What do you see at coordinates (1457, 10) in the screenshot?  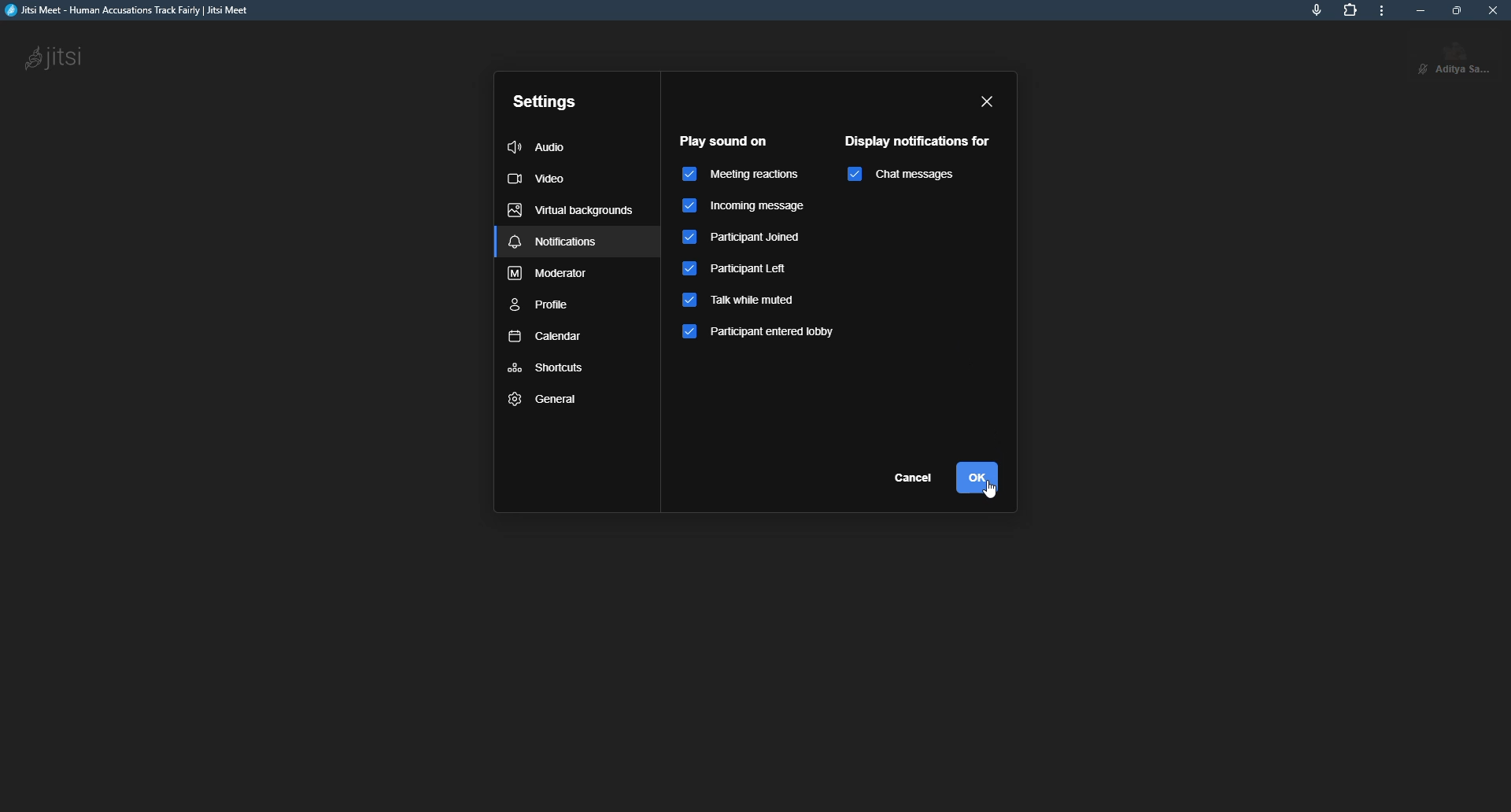 I see `maximize` at bounding box center [1457, 10].